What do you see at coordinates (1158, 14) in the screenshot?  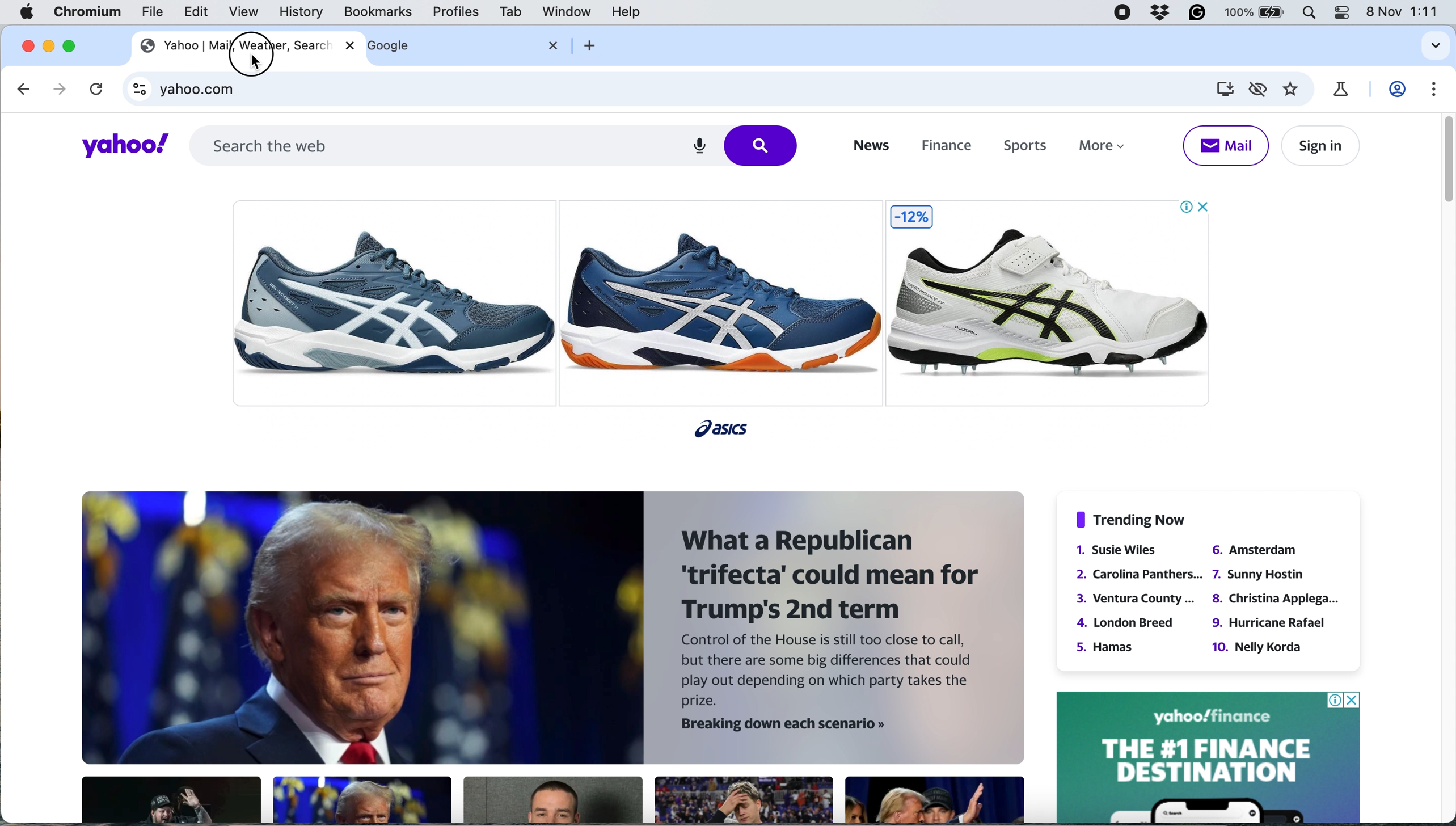 I see `dropbox` at bounding box center [1158, 14].